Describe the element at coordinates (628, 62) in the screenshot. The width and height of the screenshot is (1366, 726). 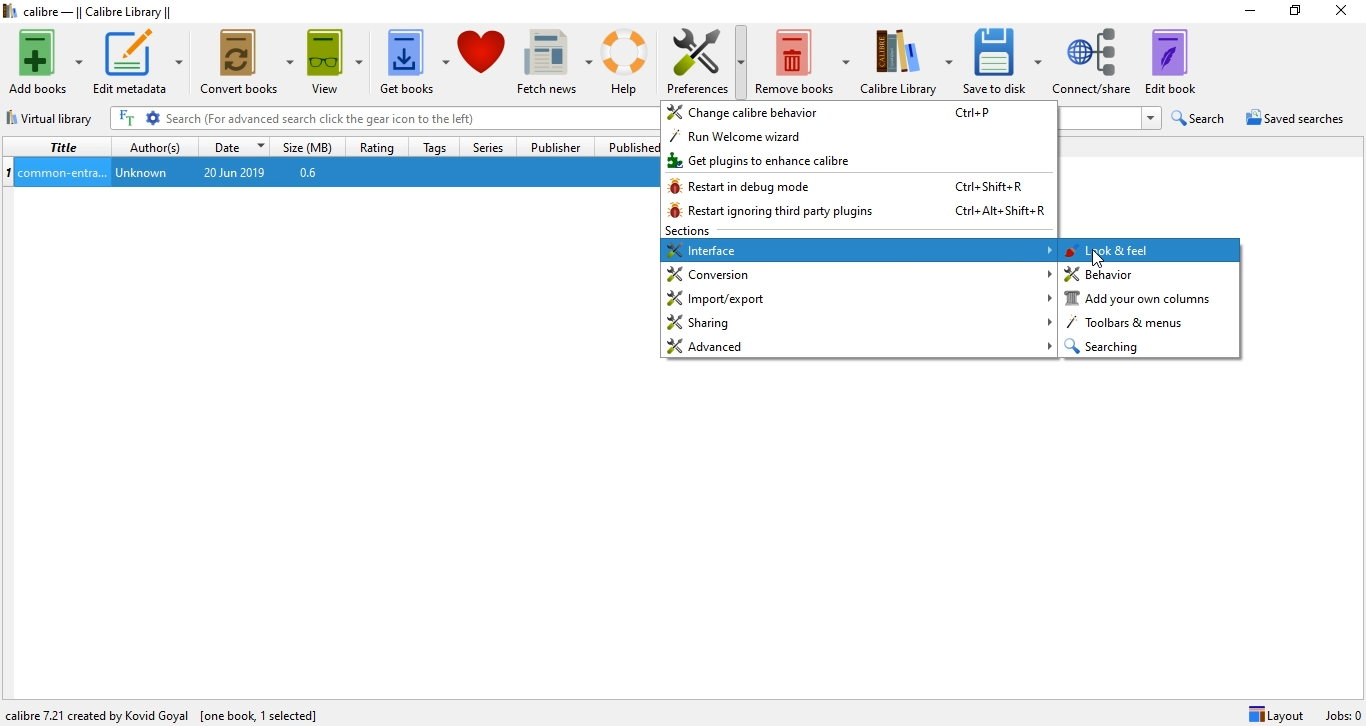
I see `Help` at that location.